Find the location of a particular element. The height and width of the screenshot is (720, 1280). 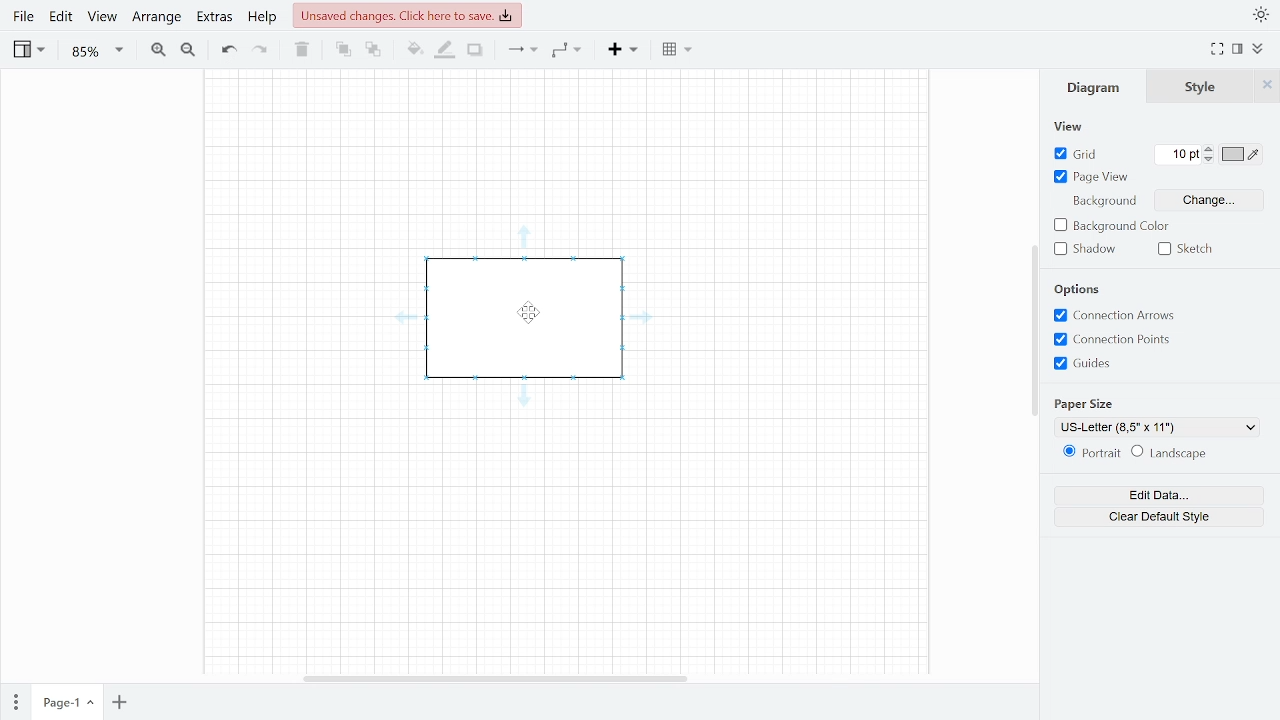

Page view is located at coordinates (1093, 179).